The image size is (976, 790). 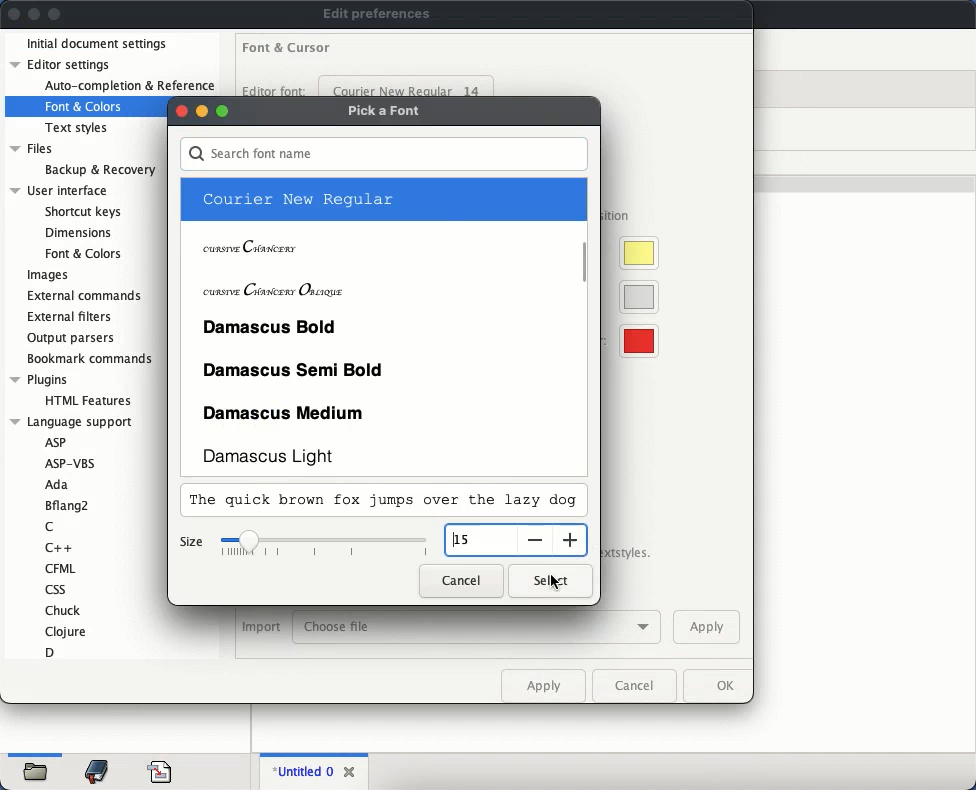 What do you see at coordinates (76, 232) in the screenshot?
I see `dimensions` at bounding box center [76, 232].